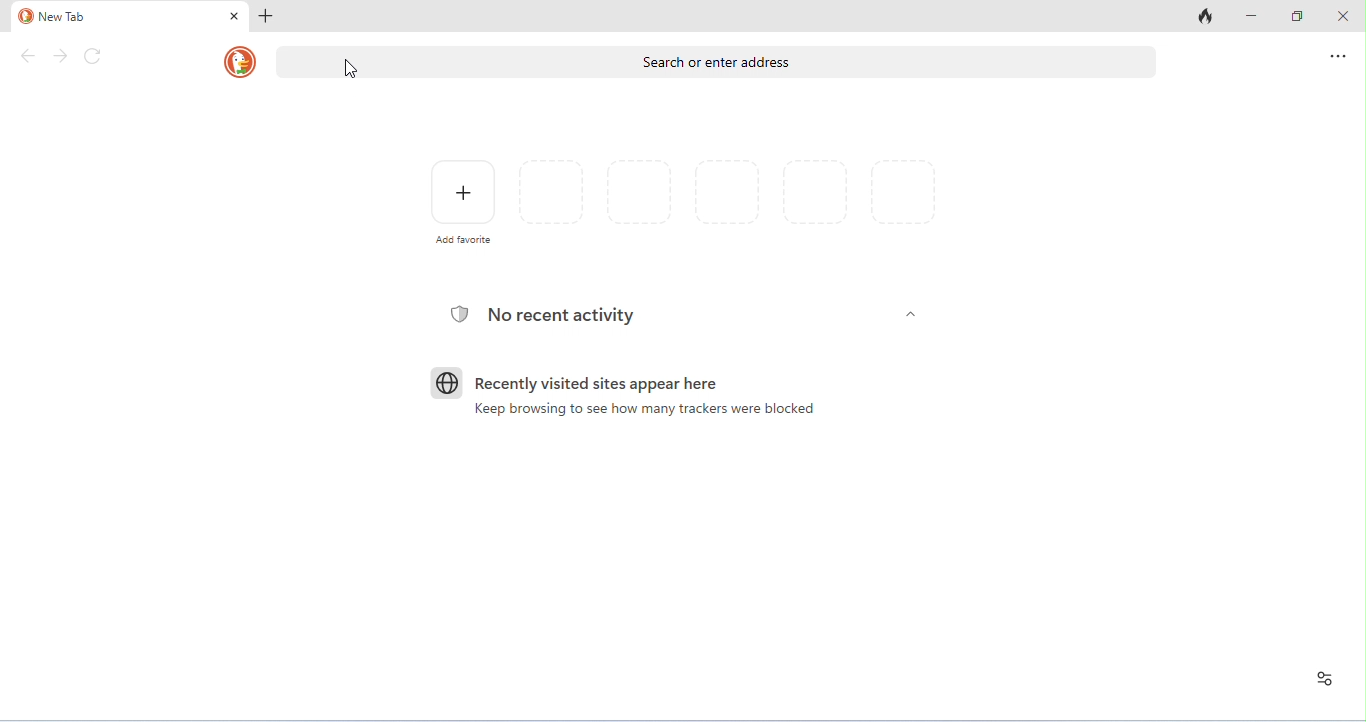 The width and height of the screenshot is (1366, 722). What do you see at coordinates (562, 315) in the screenshot?
I see `no recent activity` at bounding box center [562, 315].